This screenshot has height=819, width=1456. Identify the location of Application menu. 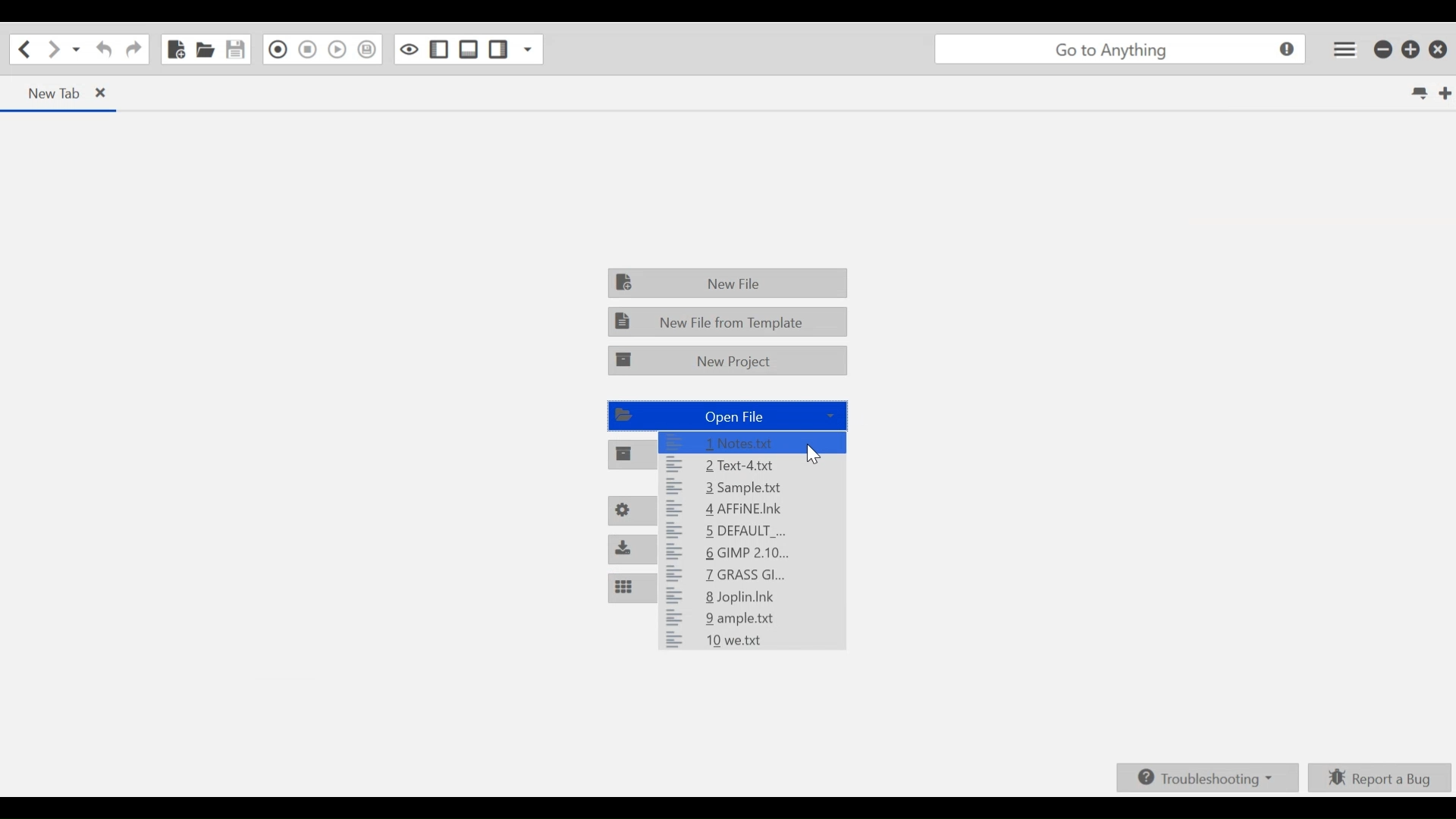
(1344, 47).